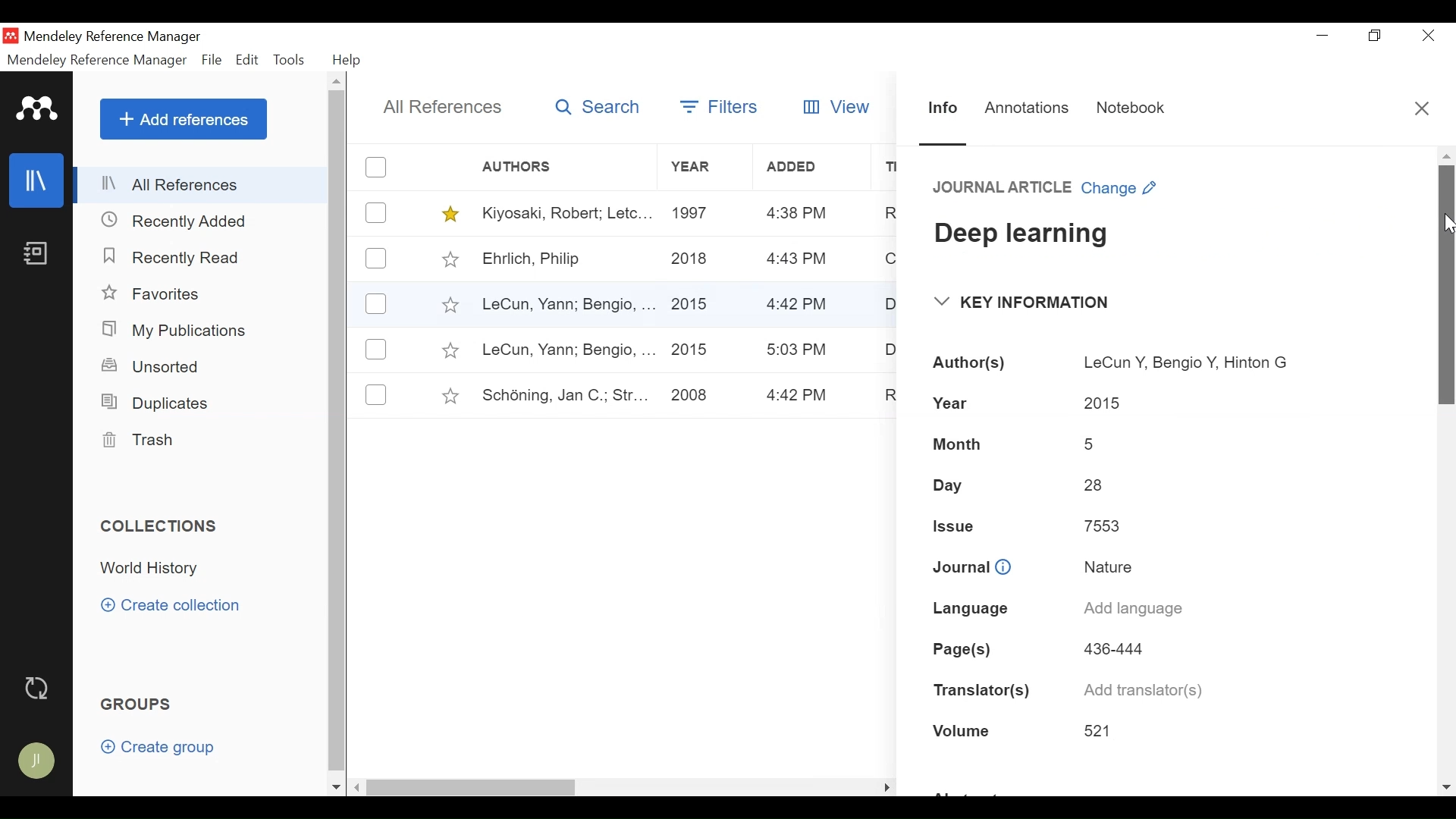  What do you see at coordinates (154, 569) in the screenshot?
I see `Collection` at bounding box center [154, 569].